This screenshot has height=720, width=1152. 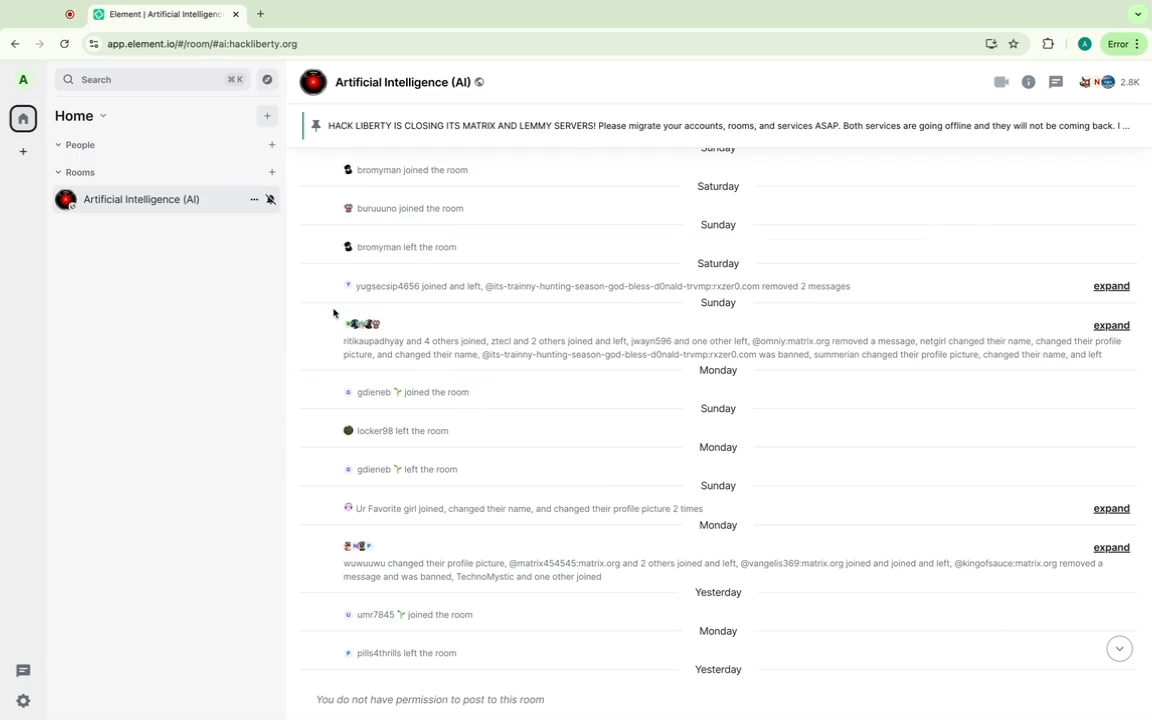 I want to click on Room, so click(x=151, y=199).